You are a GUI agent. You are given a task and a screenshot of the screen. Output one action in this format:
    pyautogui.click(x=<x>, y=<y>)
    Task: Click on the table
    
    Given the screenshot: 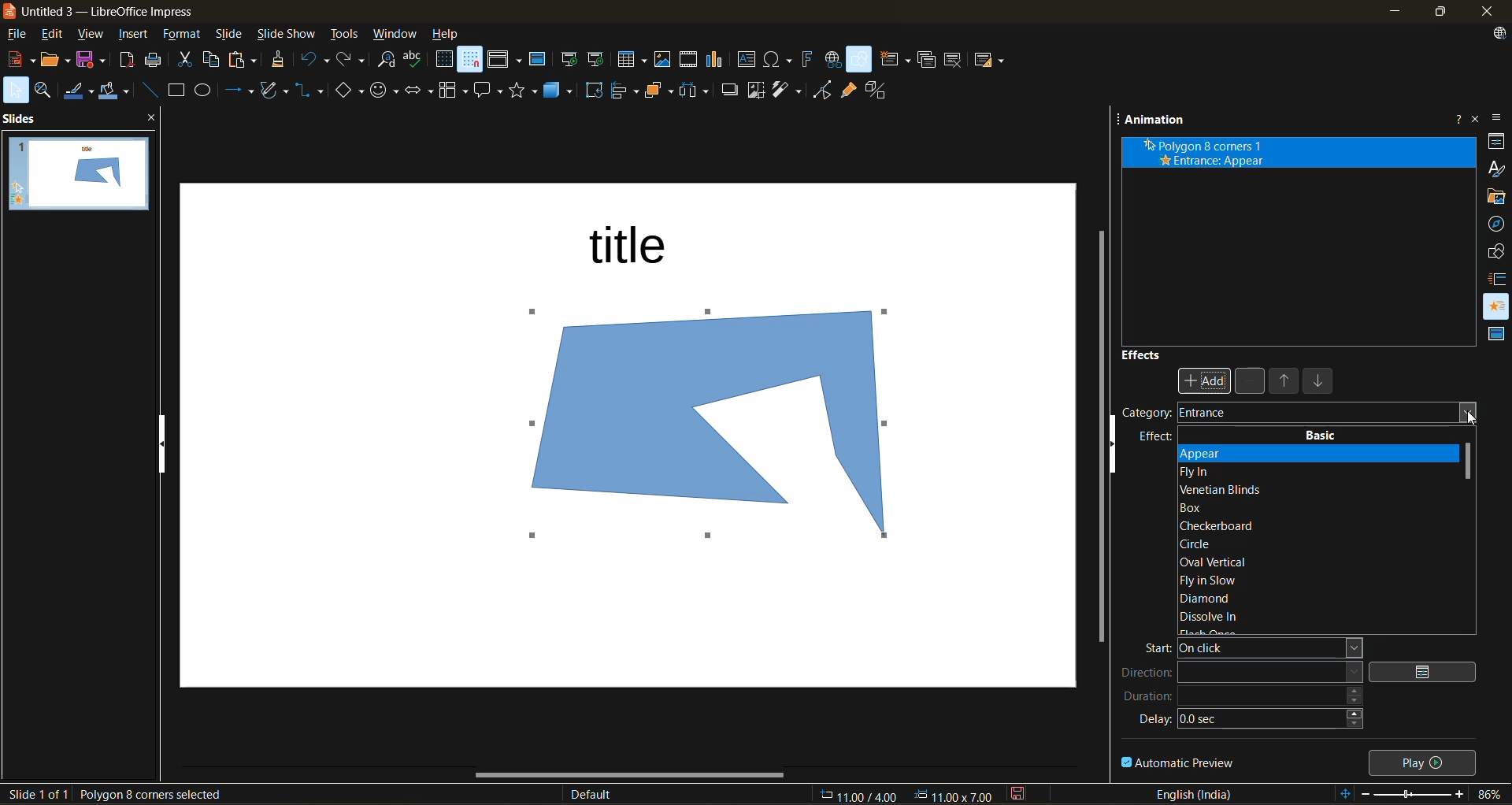 What is the action you would take?
    pyautogui.click(x=632, y=61)
    